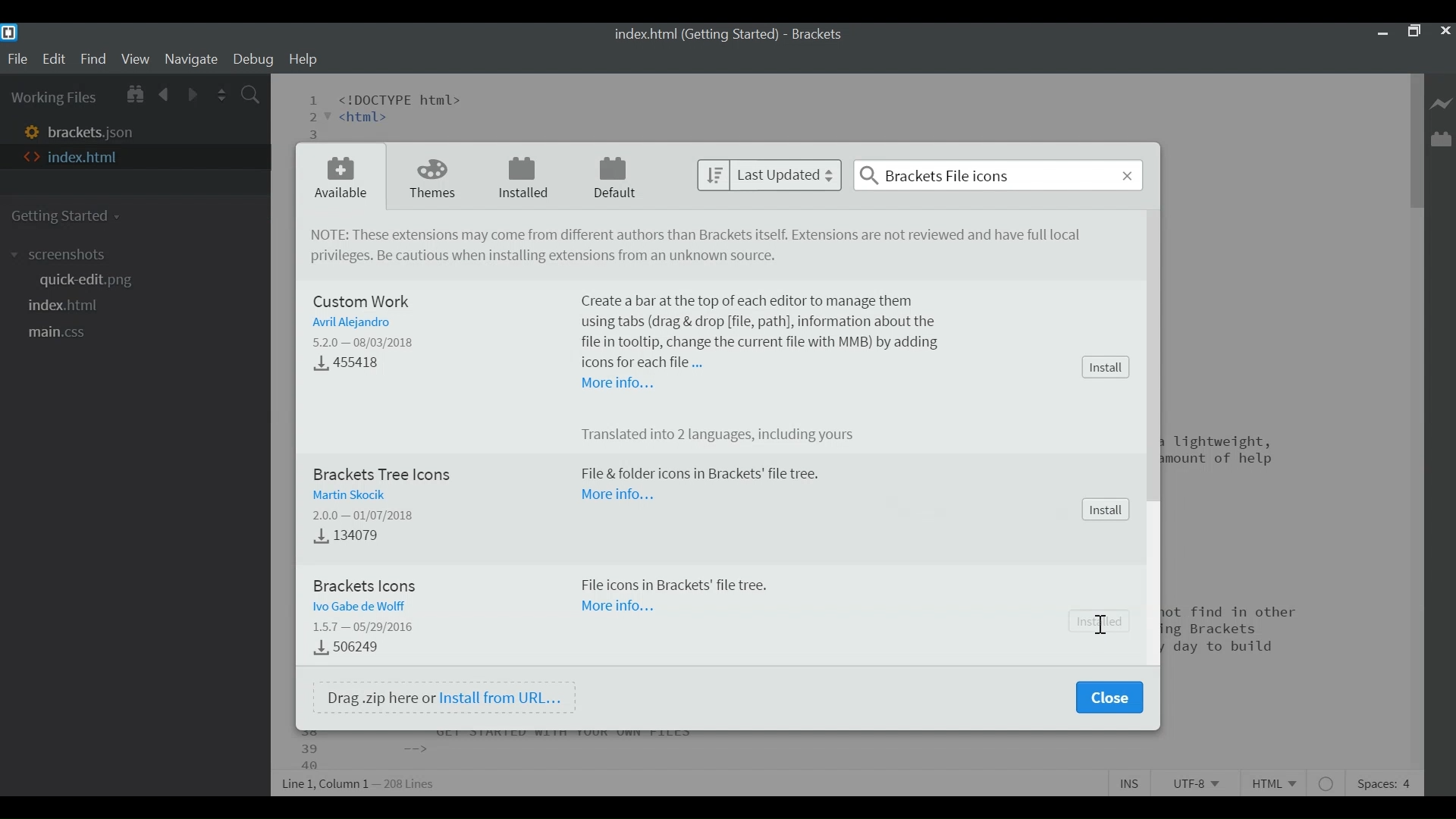 The height and width of the screenshot is (819, 1456). What do you see at coordinates (1105, 510) in the screenshot?
I see `Install` at bounding box center [1105, 510].